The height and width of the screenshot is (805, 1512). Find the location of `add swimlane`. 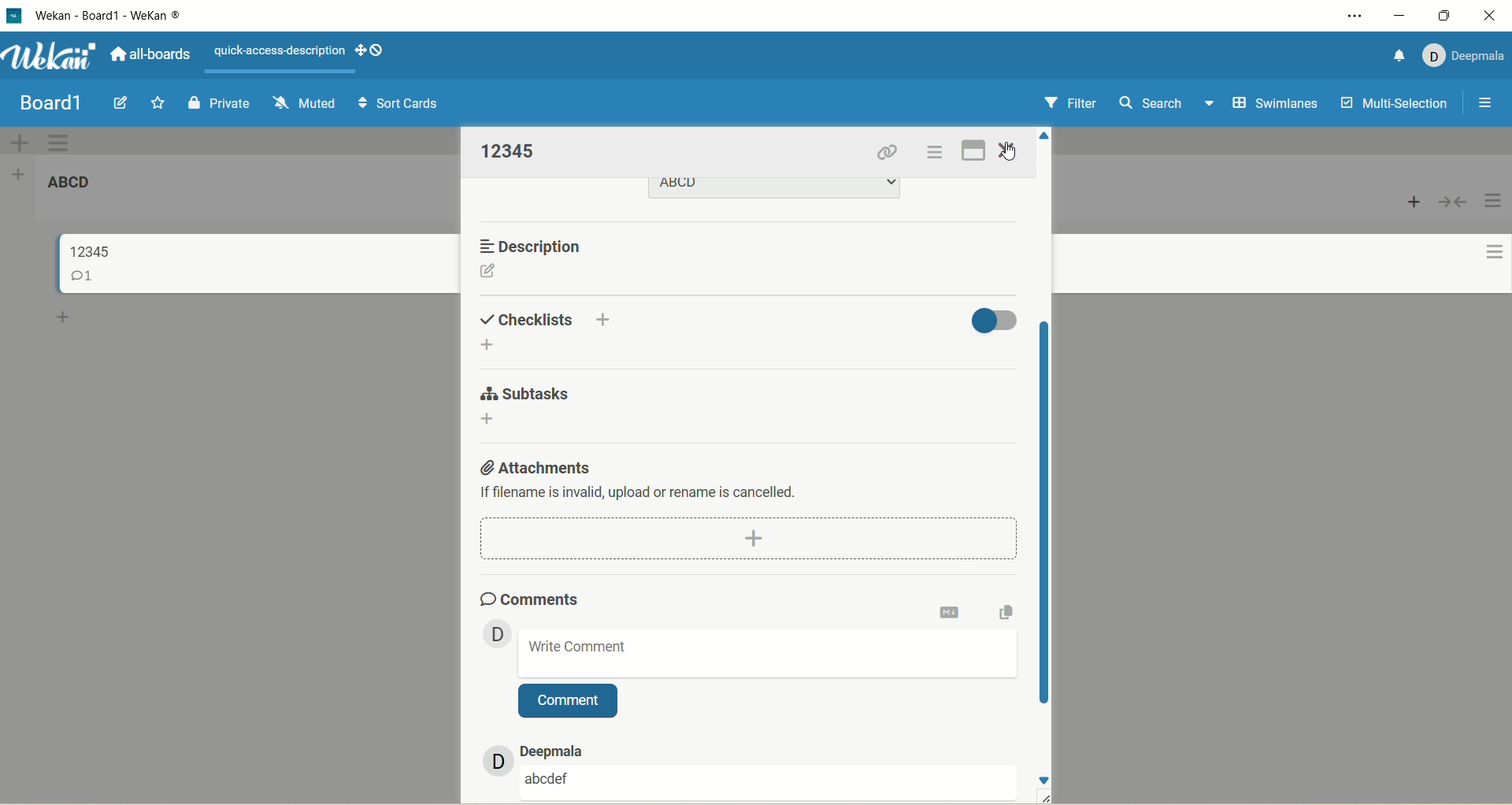

add swimlane is located at coordinates (17, 142).